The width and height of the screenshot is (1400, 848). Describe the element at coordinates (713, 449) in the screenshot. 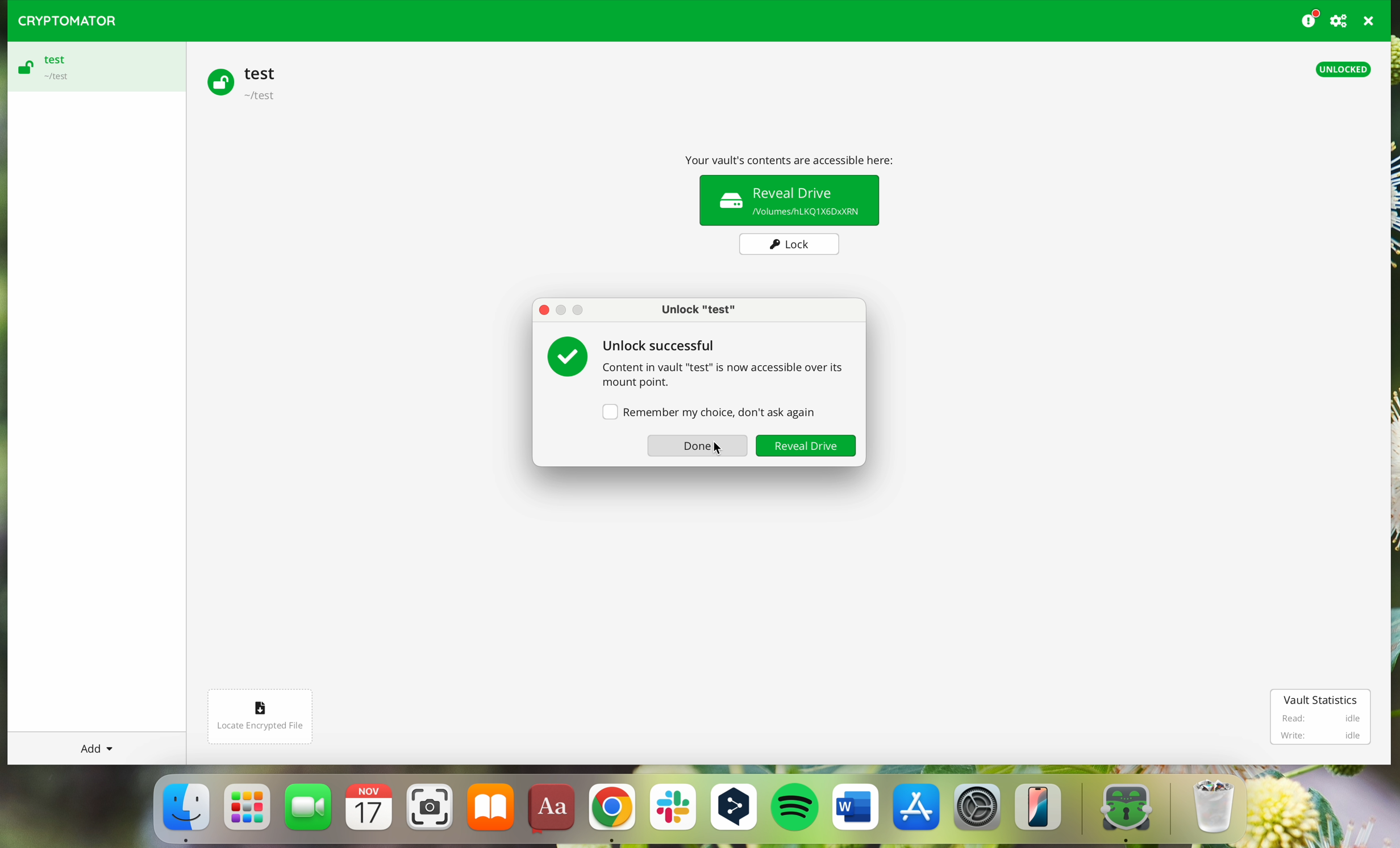

I see `cursor` at that location.